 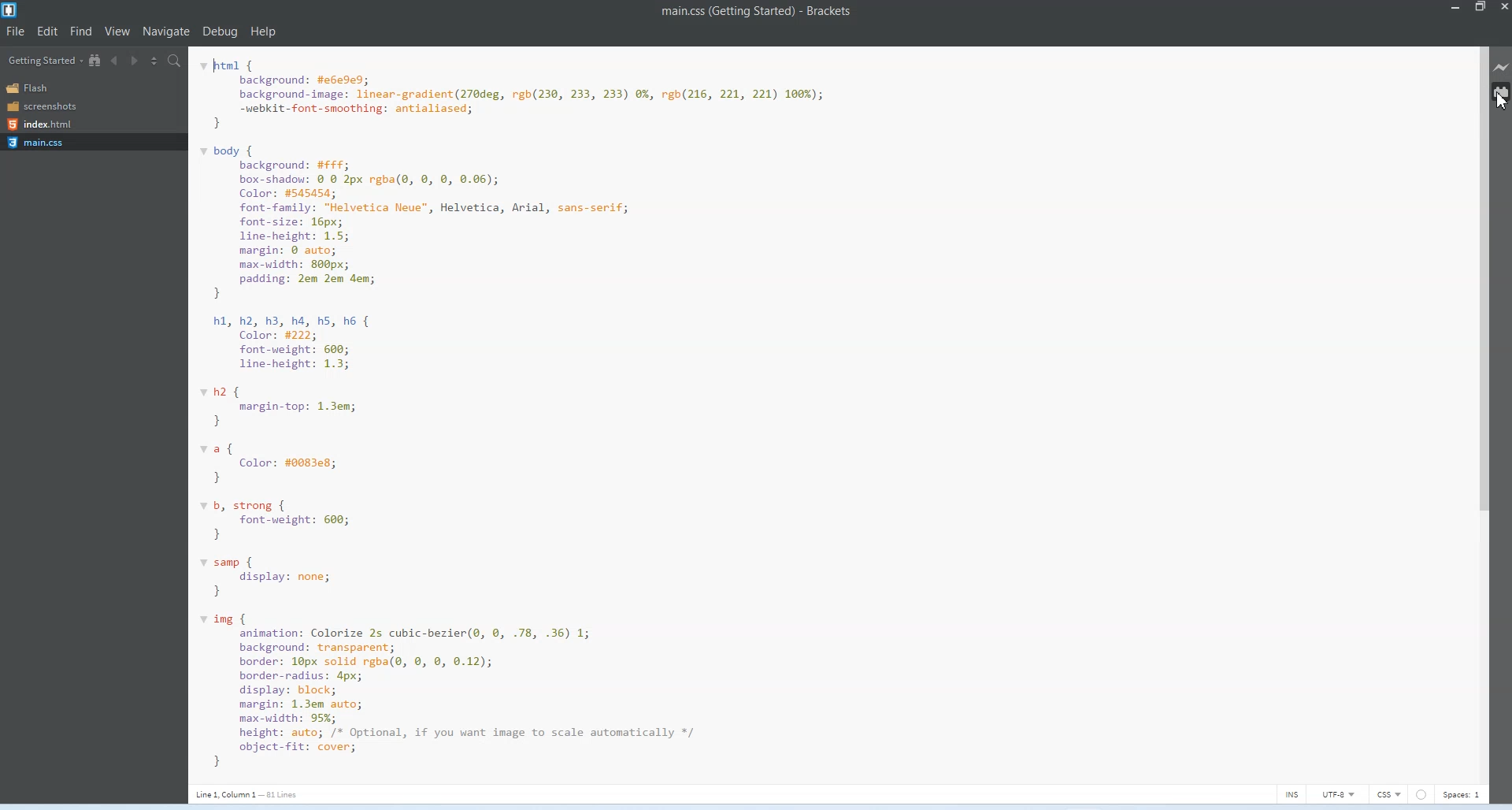 I want to click on Screenshots, so click(x=41, y=106).